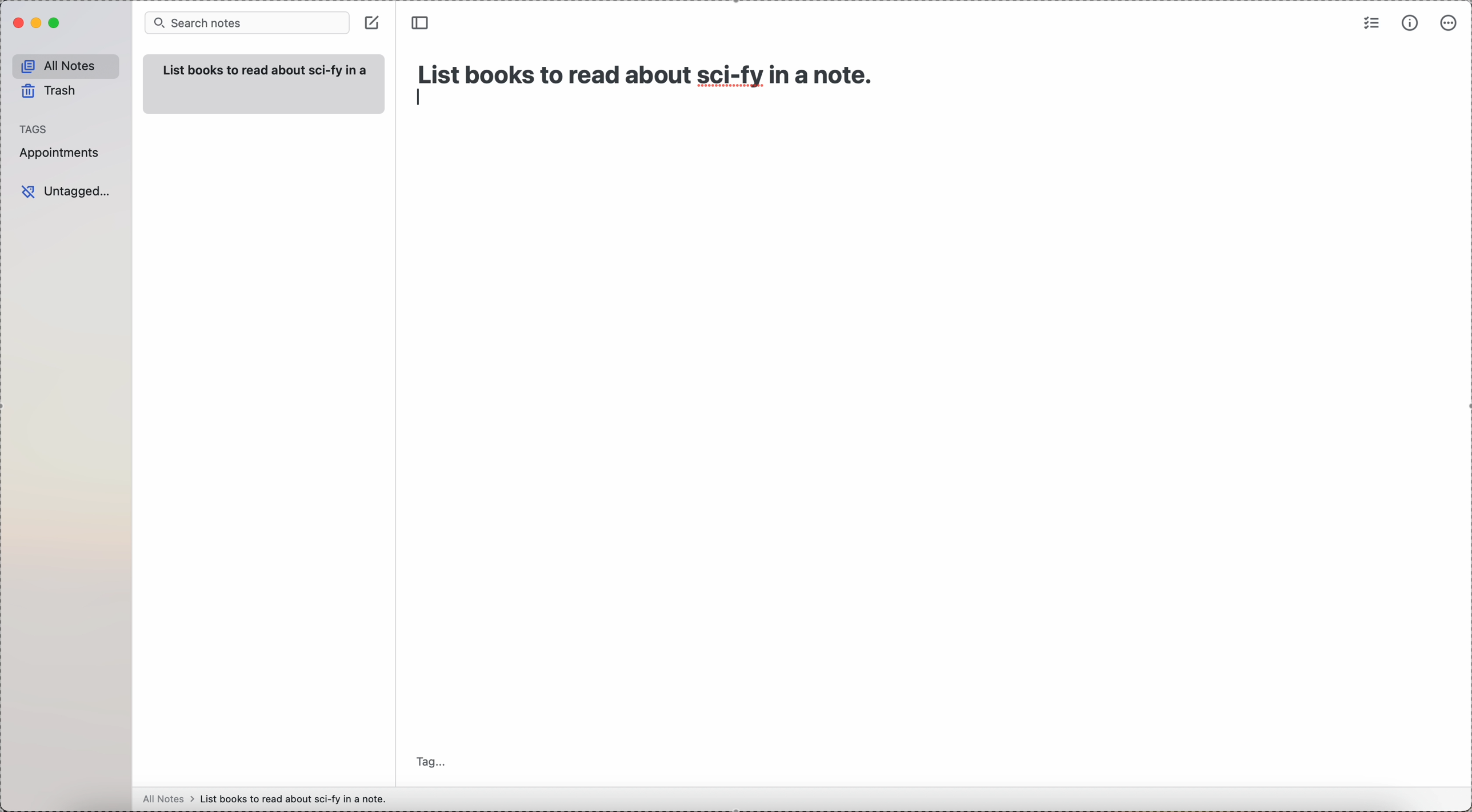 The width and height of the screenshot is (1472, 812). Describe the element at coordinates (35, 127) in the screenshot. I see `tags` at that location.